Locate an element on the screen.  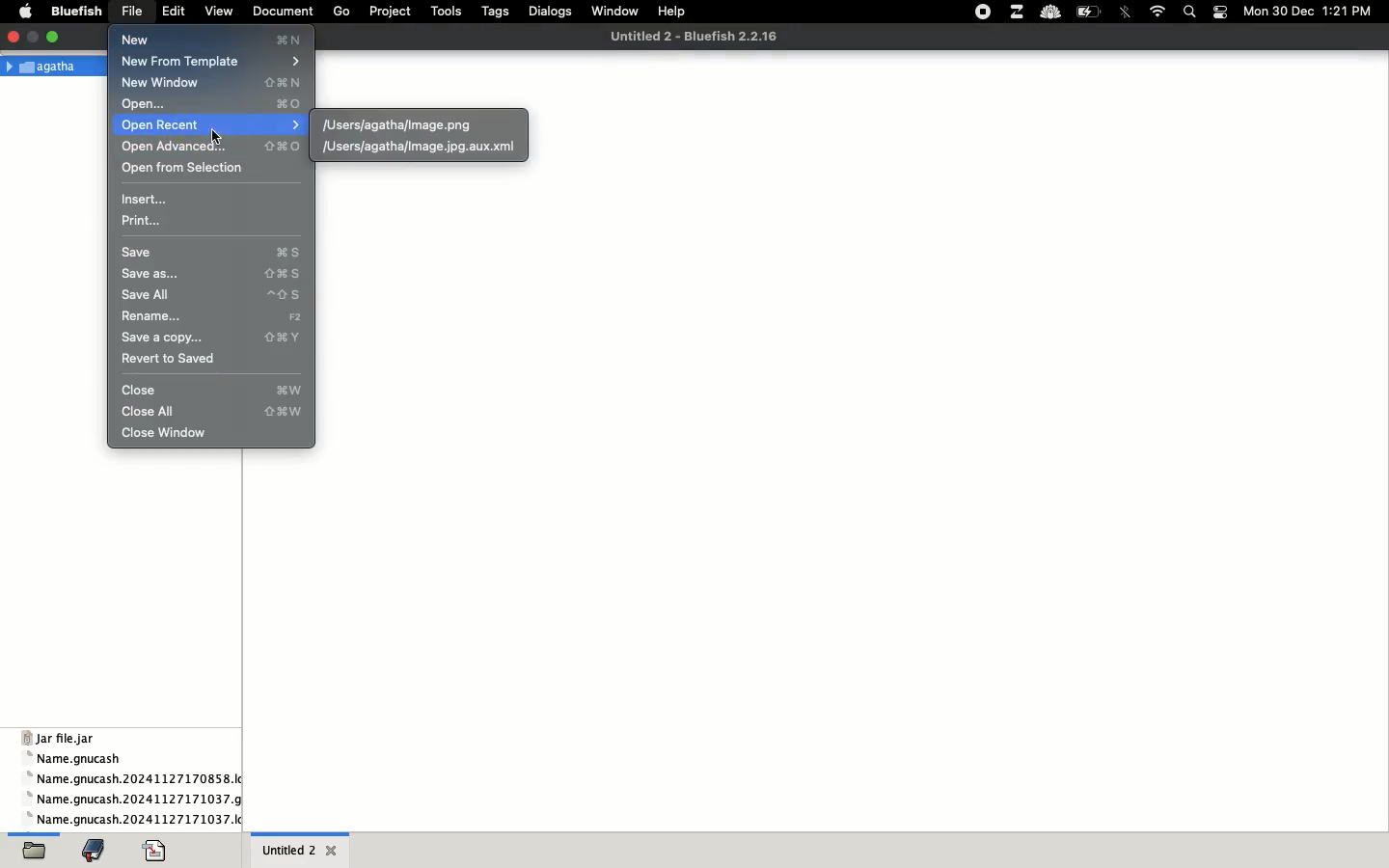
help is located at coordinates (674, 12).